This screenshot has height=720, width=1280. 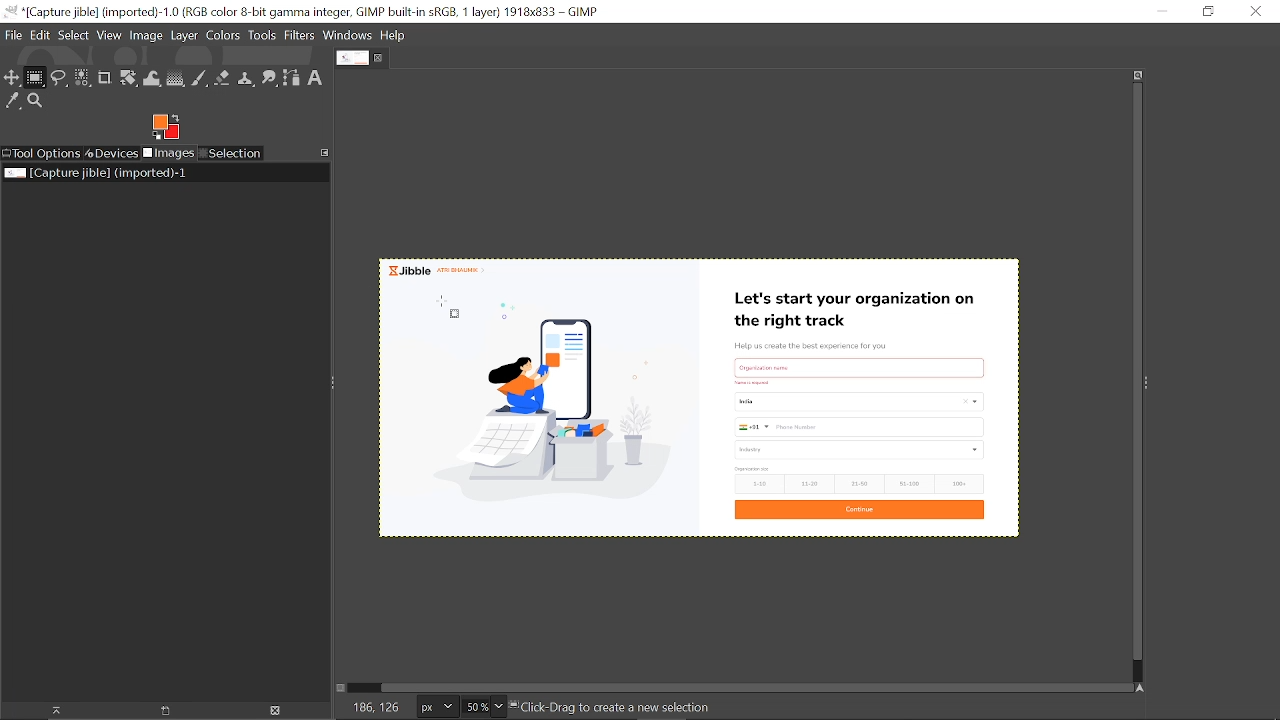 I want to click on Devices, so click(x=112, y=153).